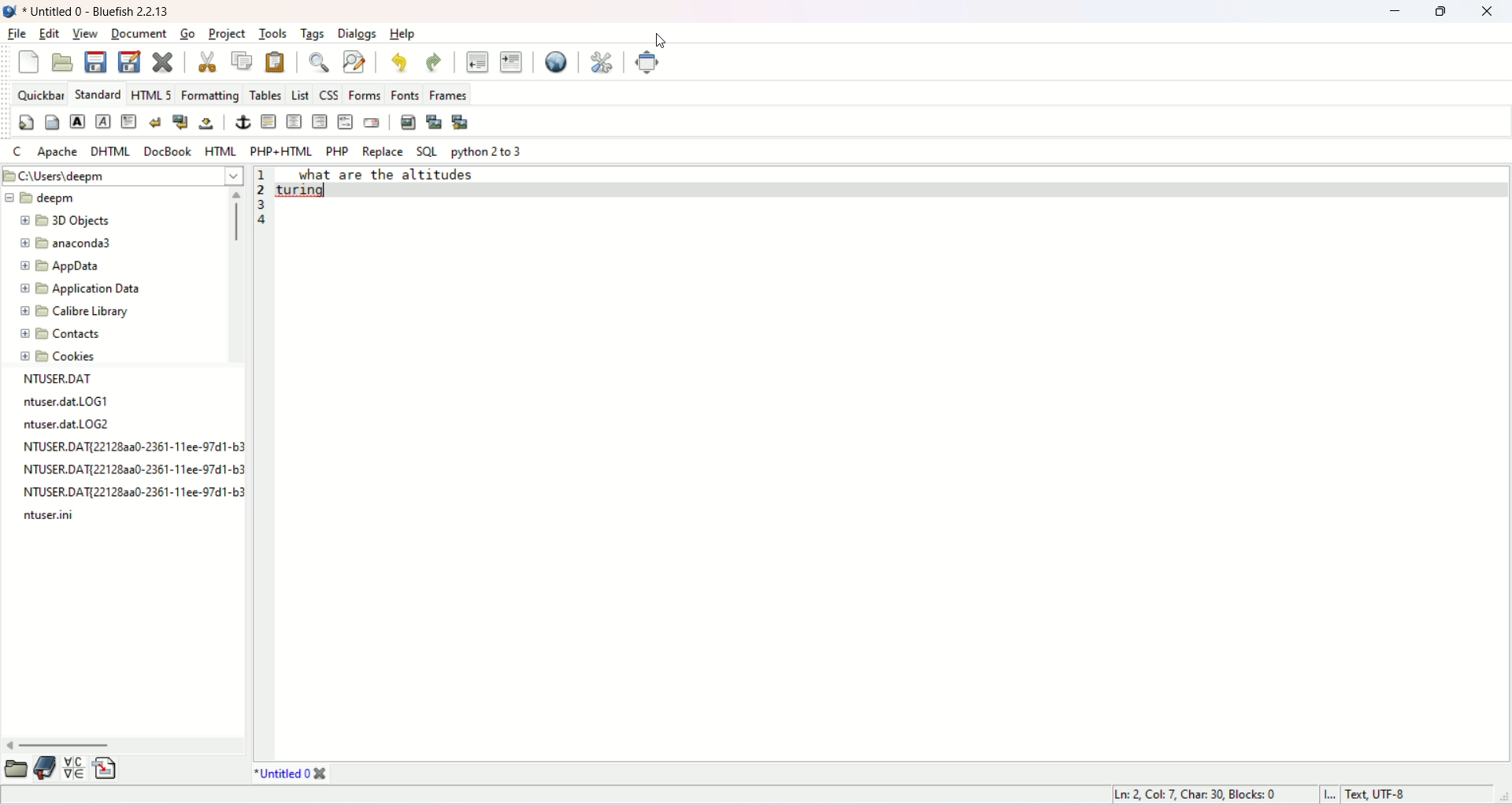  Describe the element at coordinates (210, 94) in the screenshot. I see `formatting` at that location.